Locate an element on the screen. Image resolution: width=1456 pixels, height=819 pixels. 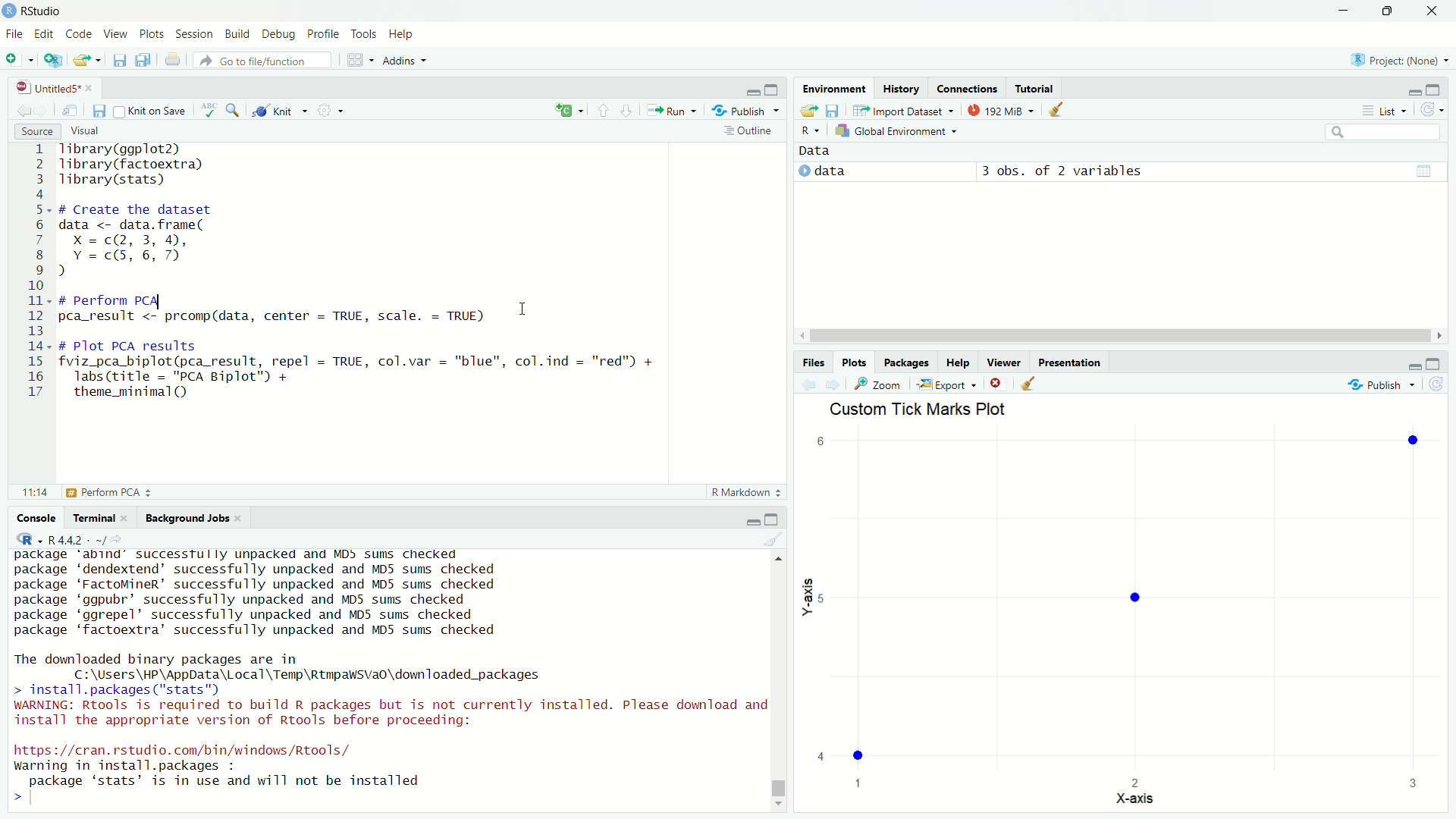
Debug is located at coordinates (280, 35).